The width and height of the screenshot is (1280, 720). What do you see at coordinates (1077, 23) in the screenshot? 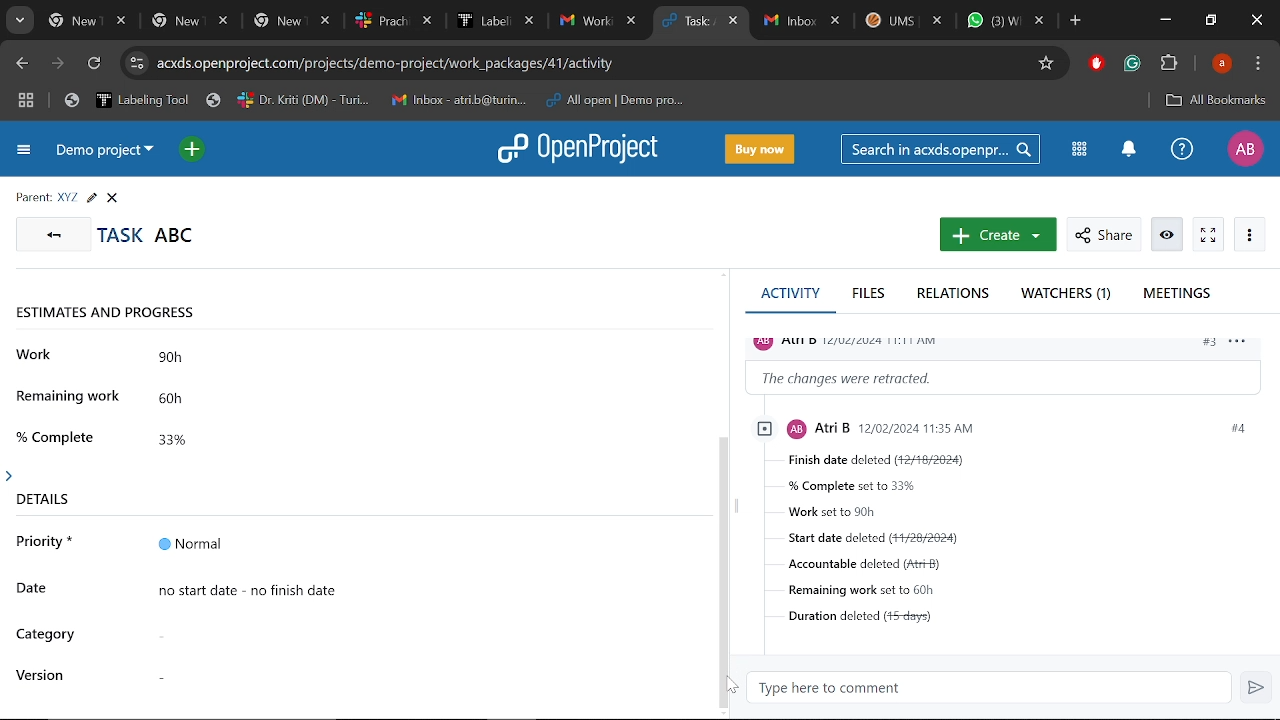
I see `Add new tab` at bounding box center [1077, 23].